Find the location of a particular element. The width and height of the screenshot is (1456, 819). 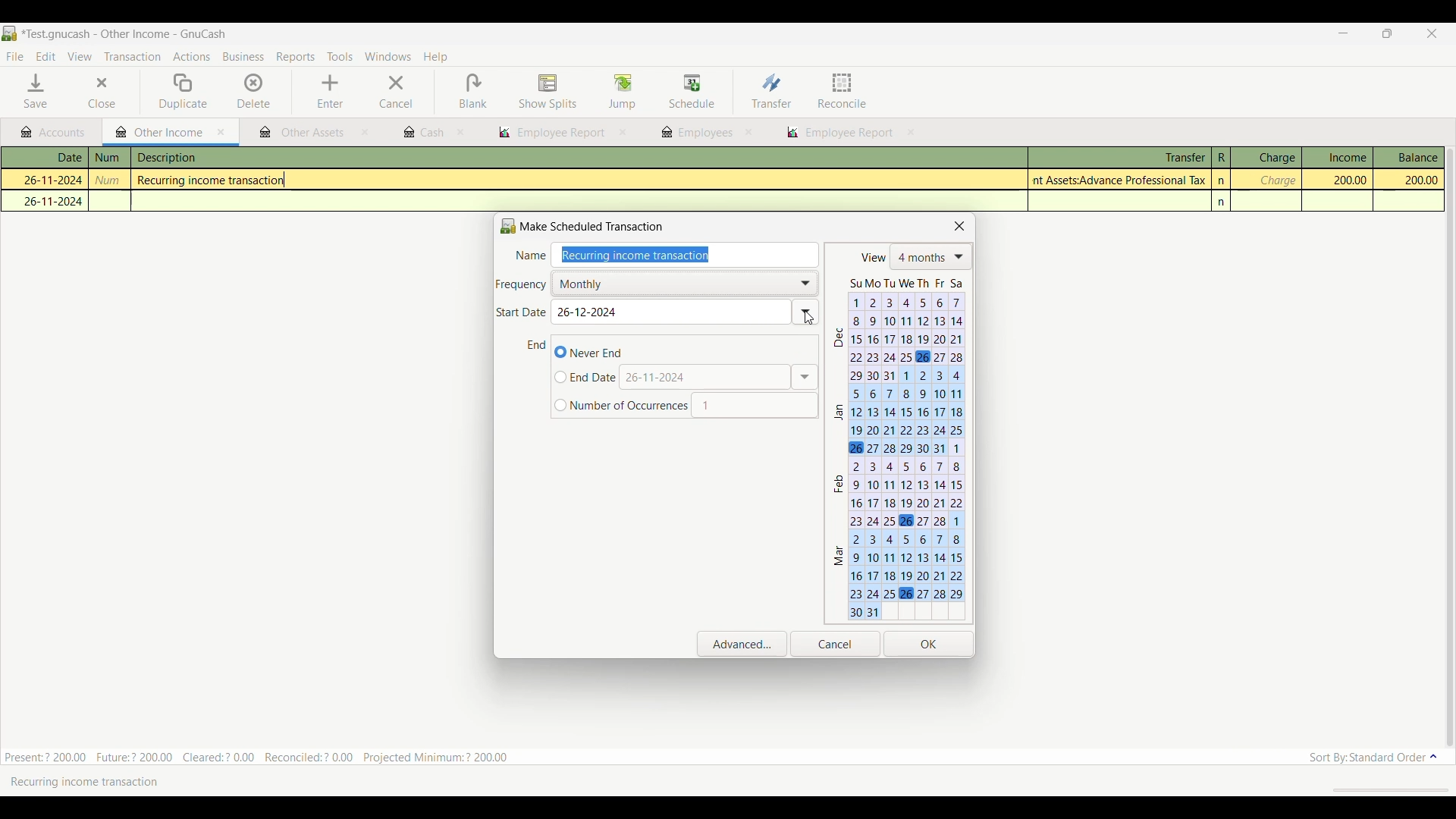

Assets:Advance Professional Tax is located at coordinates (1122, 180).